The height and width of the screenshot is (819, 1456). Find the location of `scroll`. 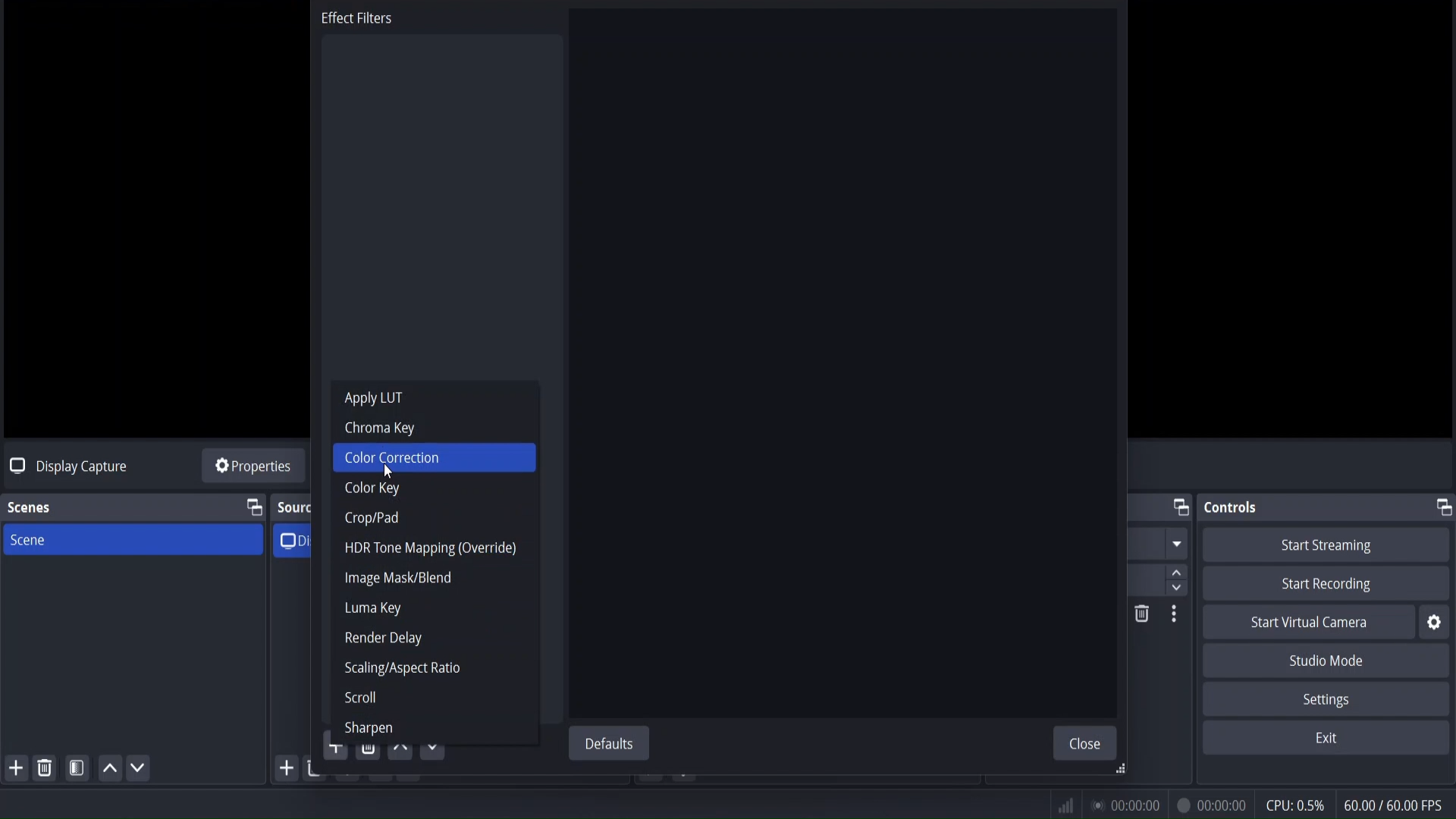

scroll is located at coordinates (360, 700).